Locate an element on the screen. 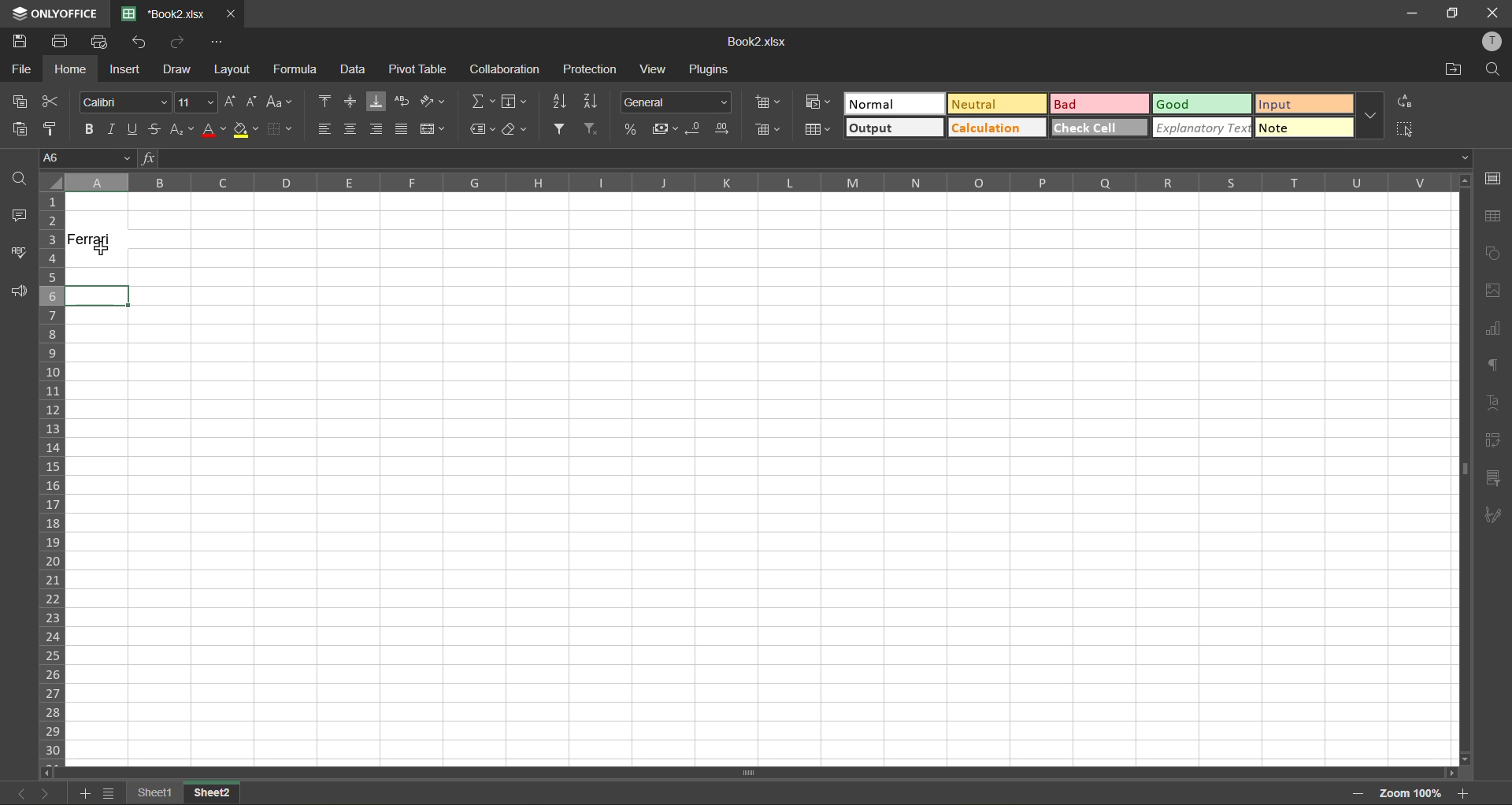  percent is located at coordinates (632, 128).